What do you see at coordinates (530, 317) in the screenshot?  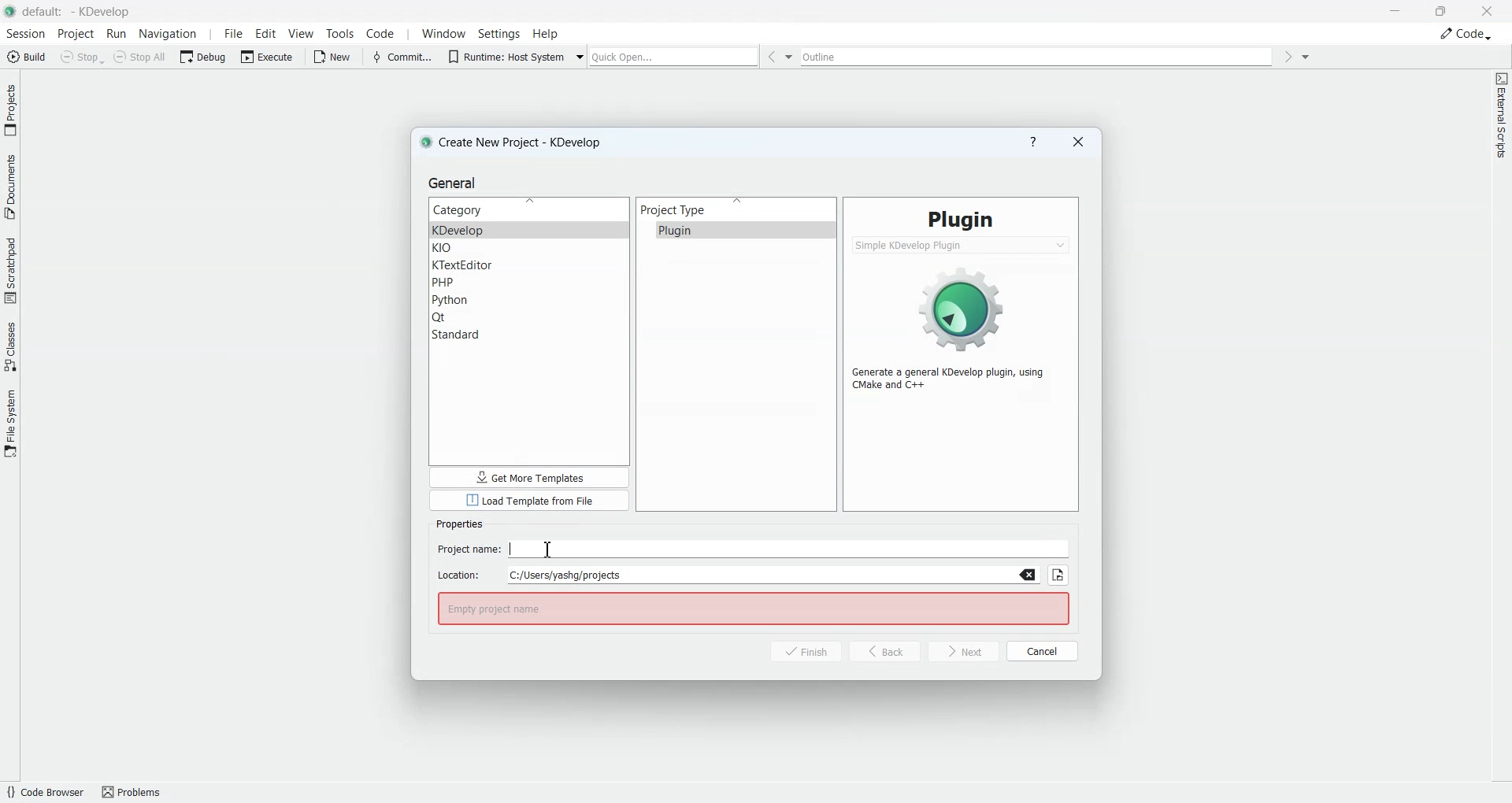 I see `Qt` at bounding box center [530, 317].